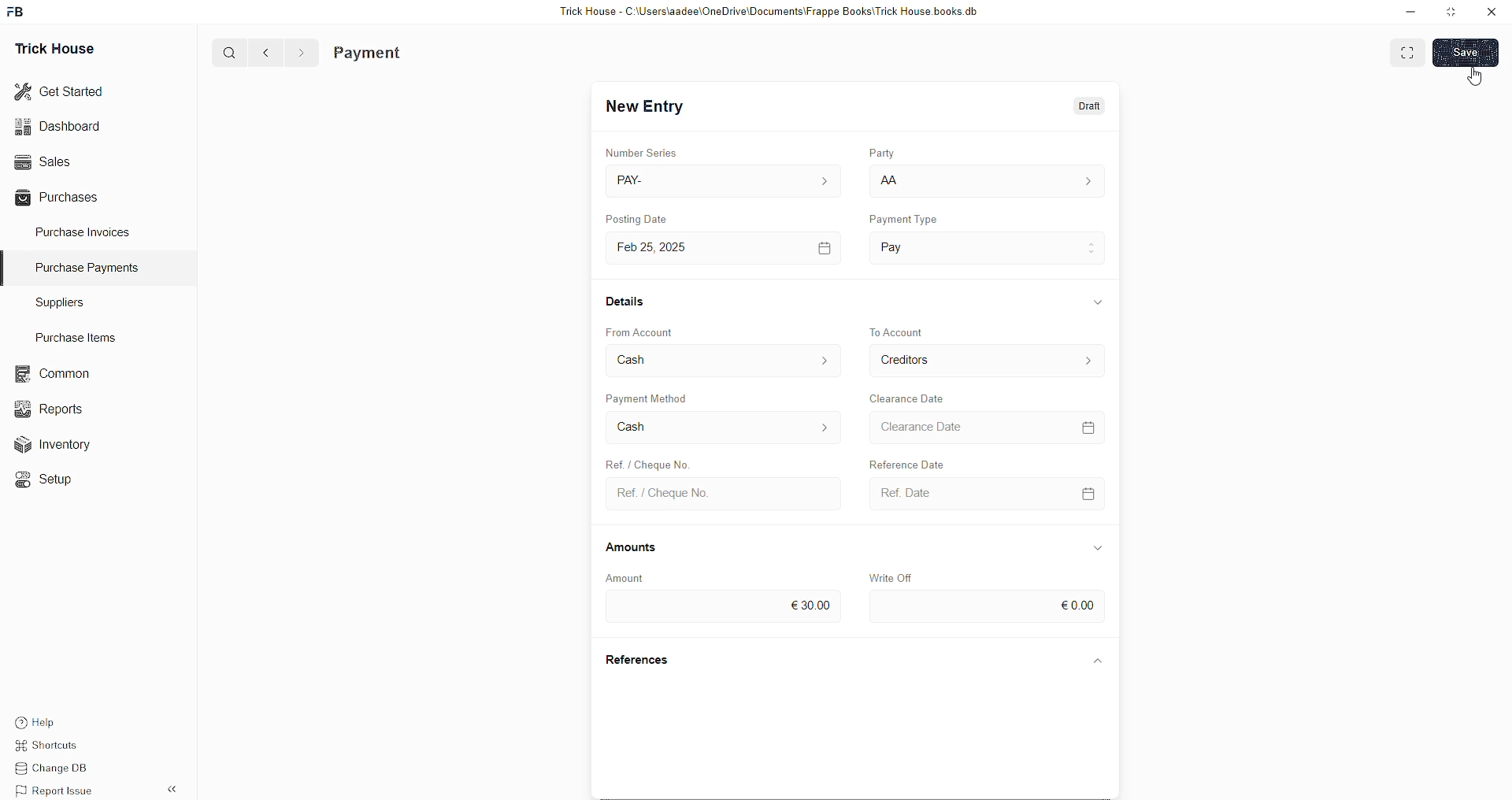 Image resolution: width=1512 pixels, height=800 pixels. Describe the element at coordinates (632, 306) in the screenshot. I see `Details` at that location.